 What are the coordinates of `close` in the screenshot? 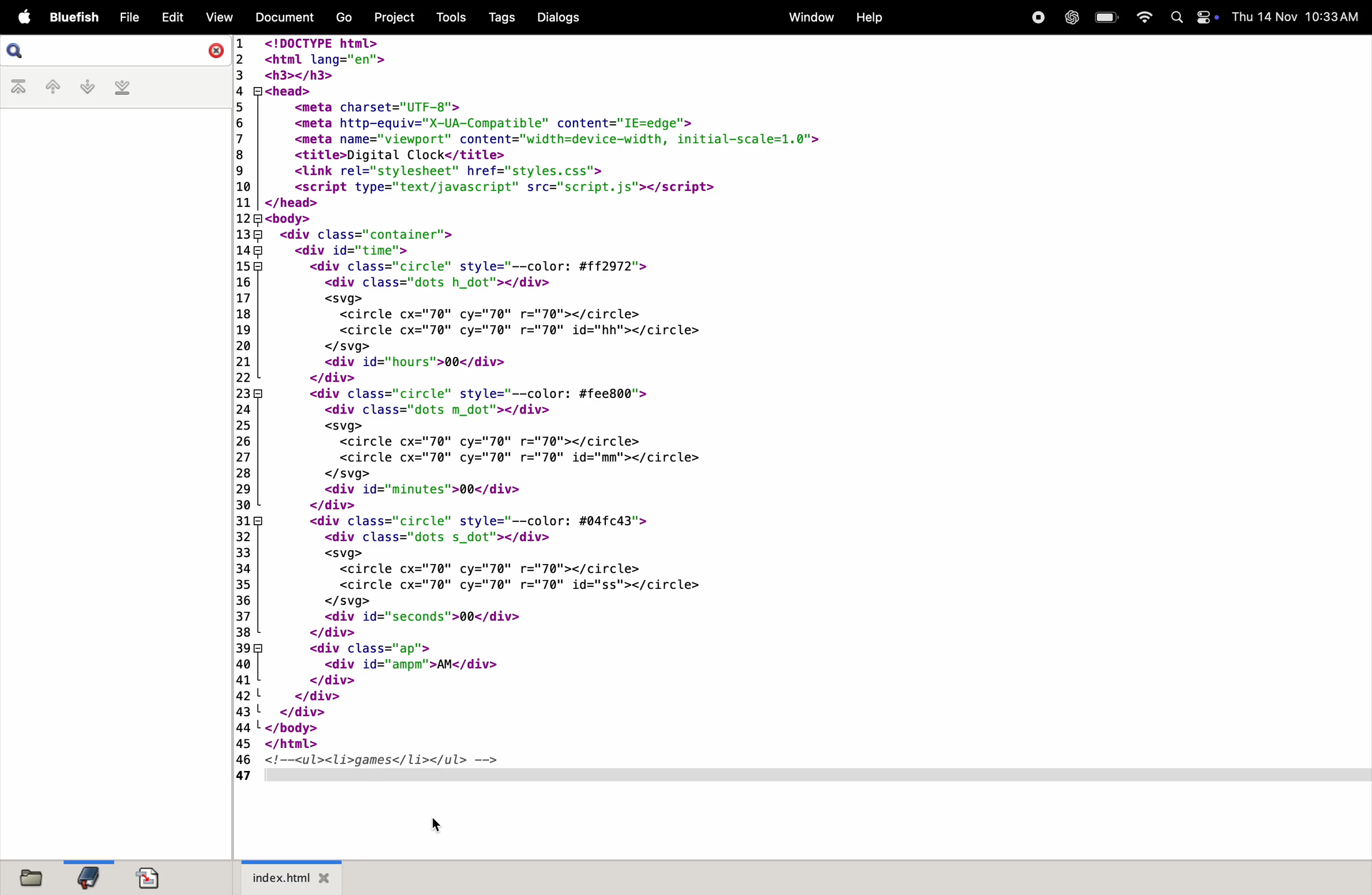 It's located at (212, 52).